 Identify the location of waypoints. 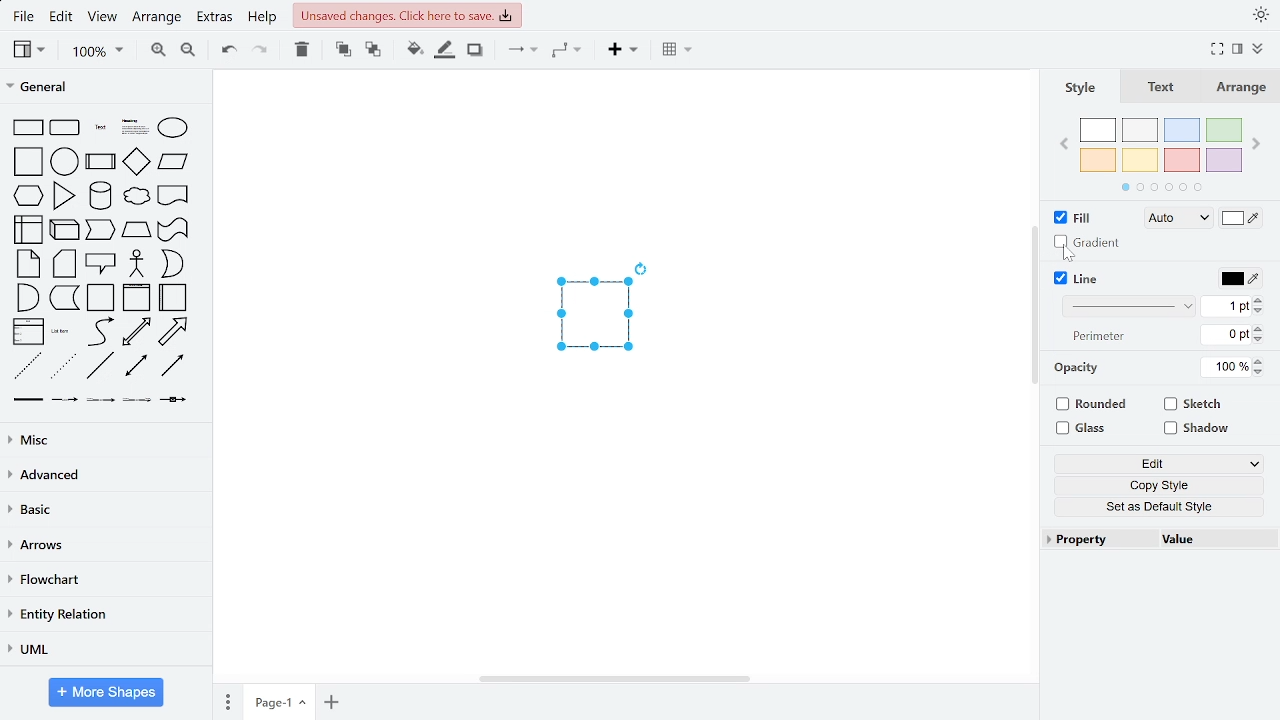
(570, 52).